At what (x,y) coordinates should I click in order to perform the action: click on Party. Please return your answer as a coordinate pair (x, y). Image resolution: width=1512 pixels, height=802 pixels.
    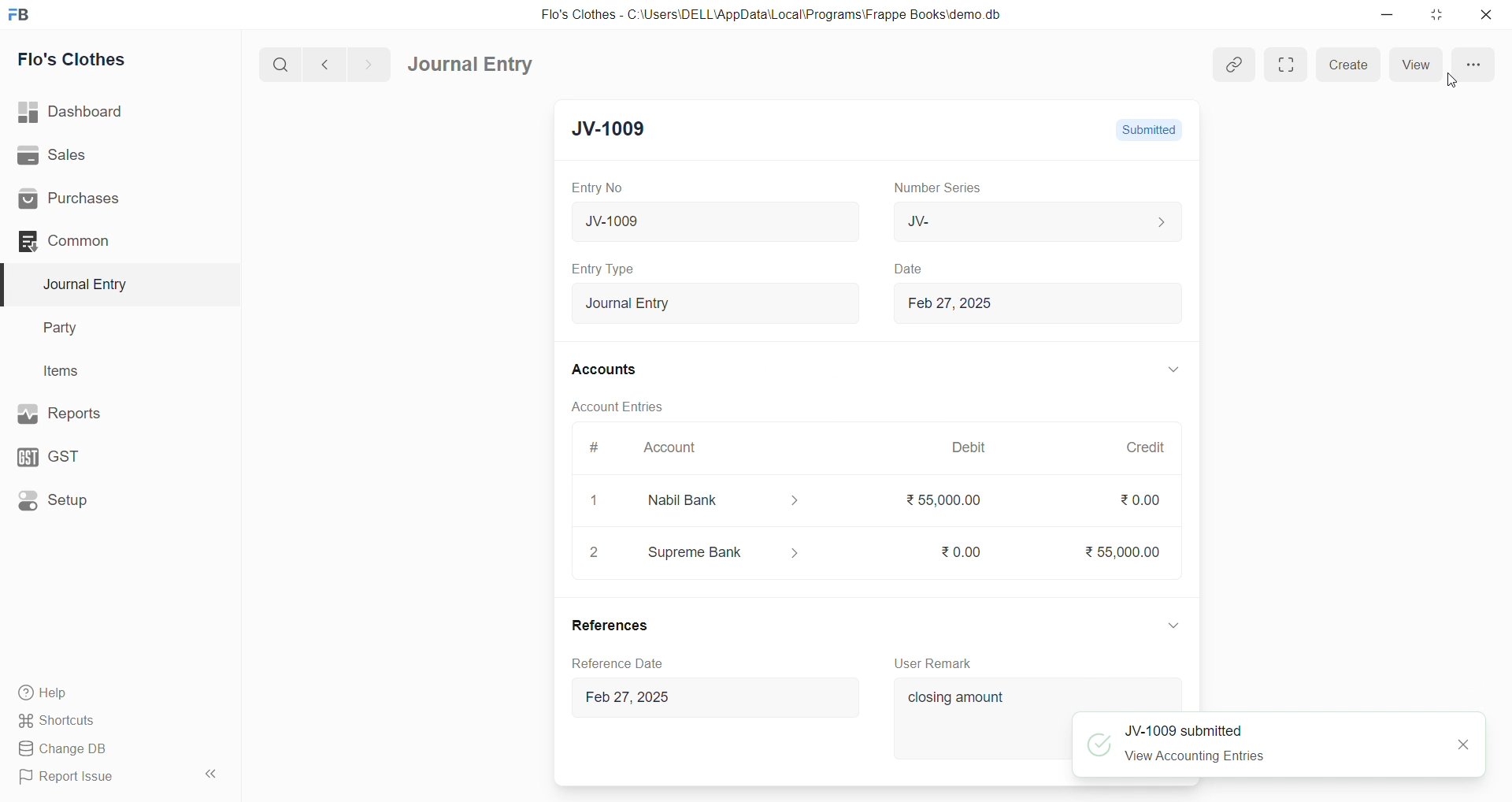
    Looking at the image, I should click on (70, 326).